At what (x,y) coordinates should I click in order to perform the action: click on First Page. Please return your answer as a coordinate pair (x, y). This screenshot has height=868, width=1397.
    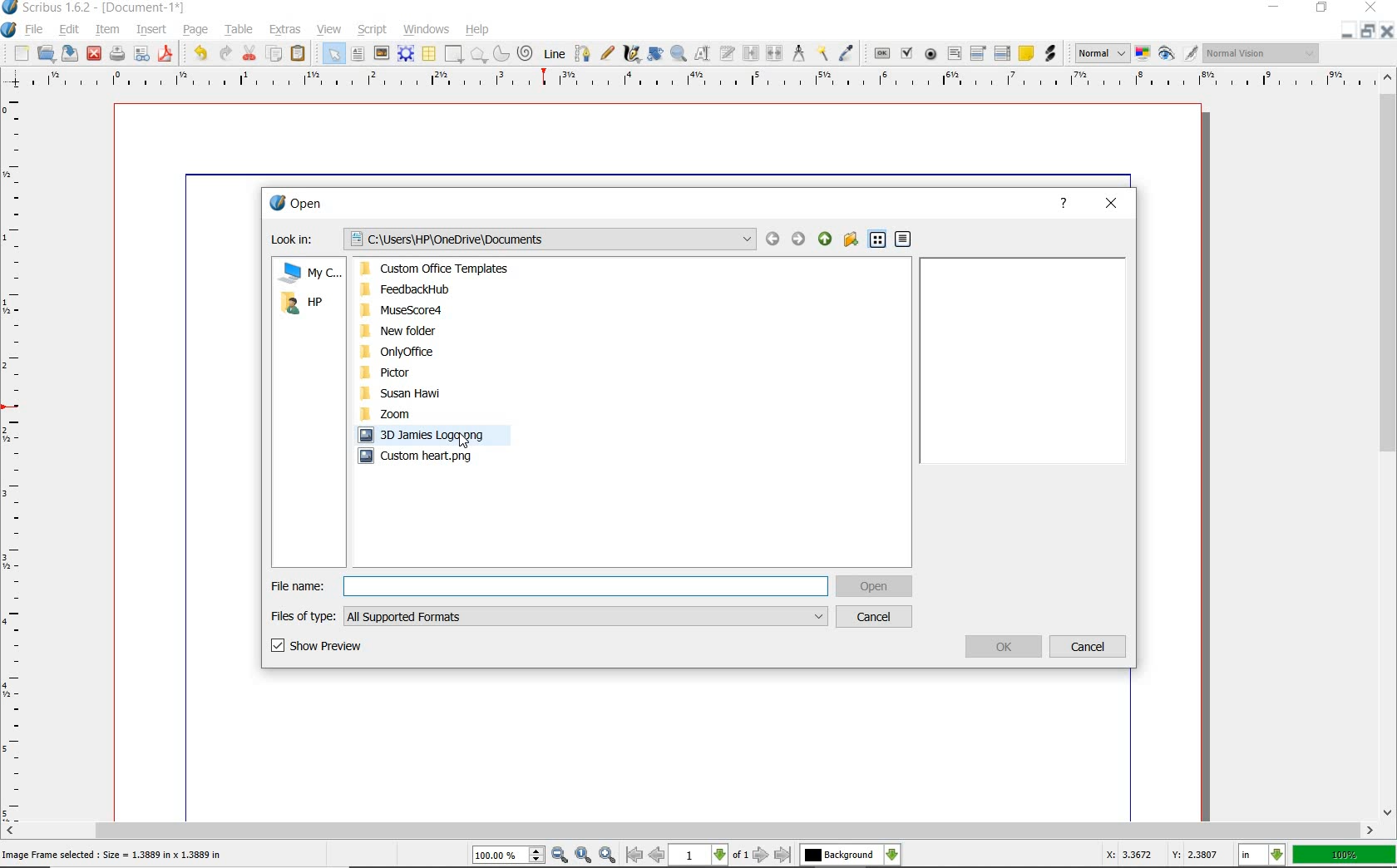
    Looking at the image, I should click on (634, 856).